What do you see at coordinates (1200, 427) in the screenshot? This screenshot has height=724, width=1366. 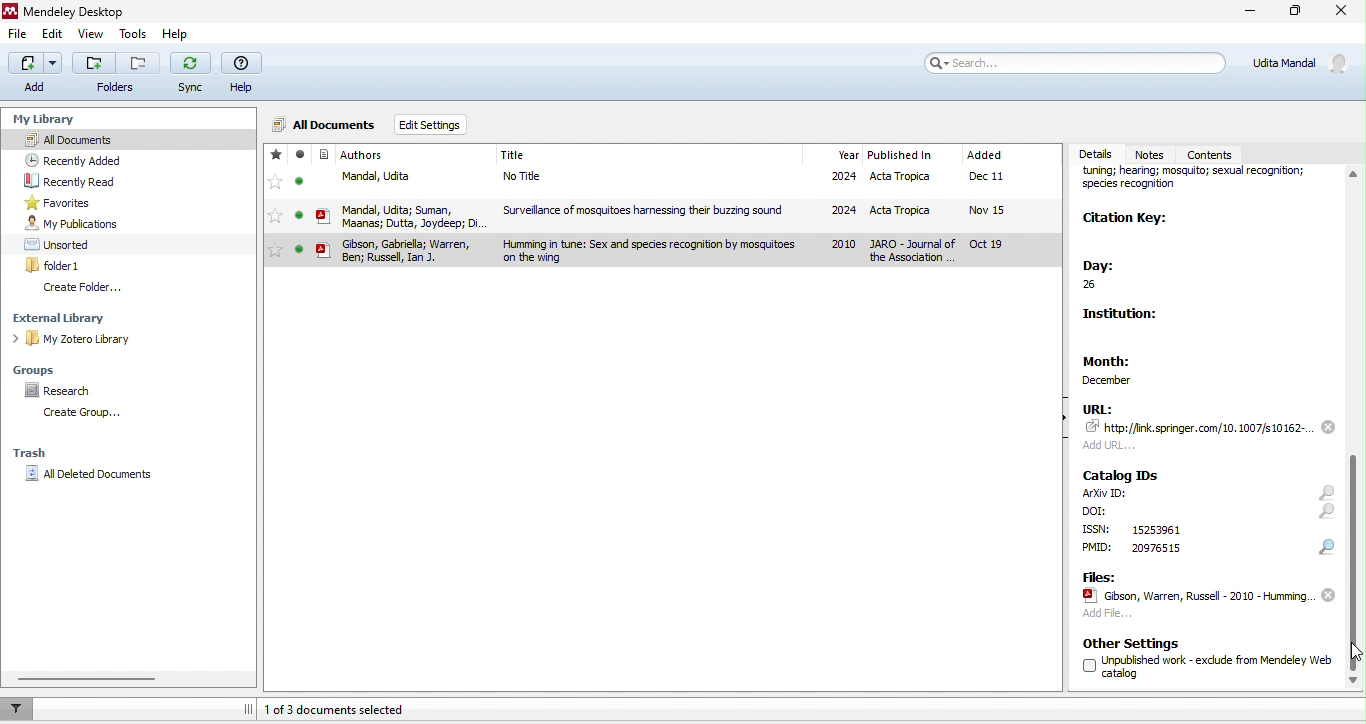 I see `link` at bounding box center [1200, 427].